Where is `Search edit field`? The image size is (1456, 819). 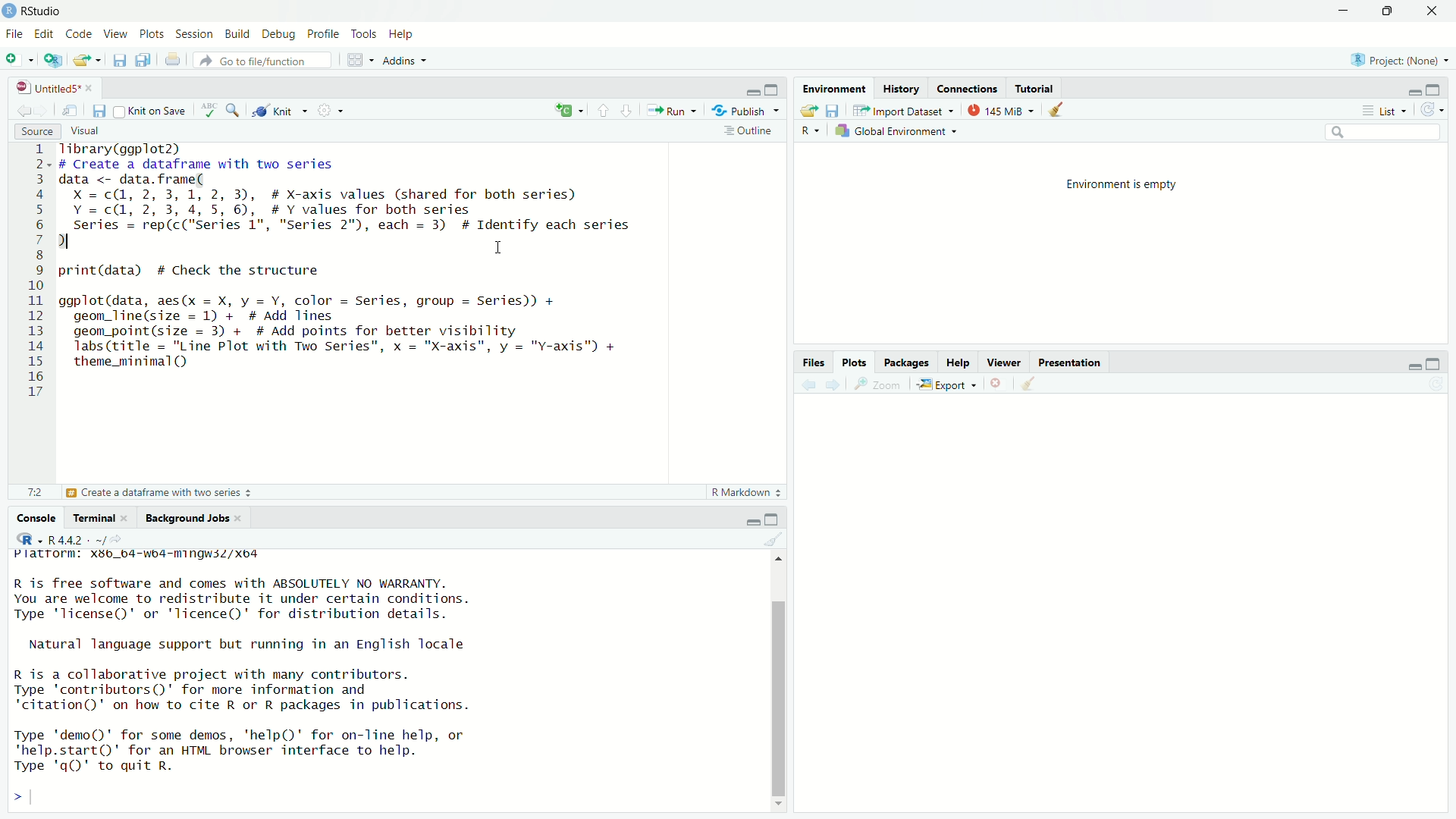 Search edit field is located at coordinates (1386, 133).